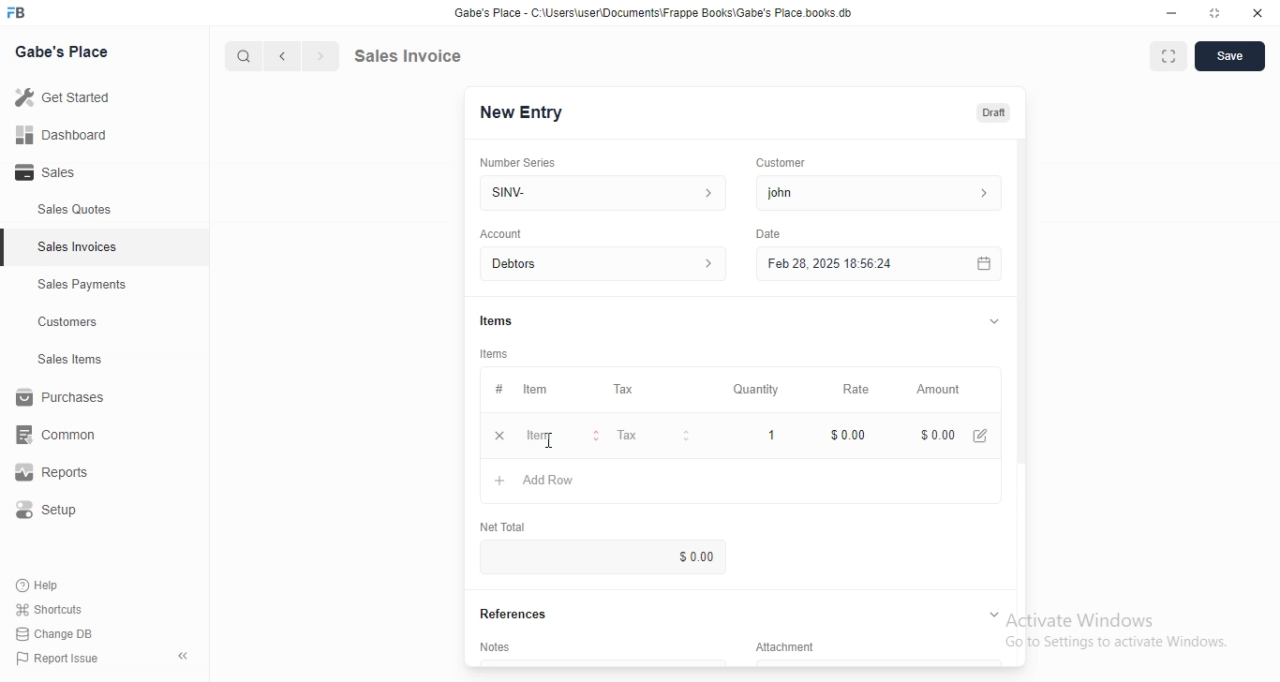 The width and height of the screenshot is (1280, 682). What do you see at coordinates (546, 484) in the screenshot?
I see `+ Add Row` at bounding box center [546, 484].